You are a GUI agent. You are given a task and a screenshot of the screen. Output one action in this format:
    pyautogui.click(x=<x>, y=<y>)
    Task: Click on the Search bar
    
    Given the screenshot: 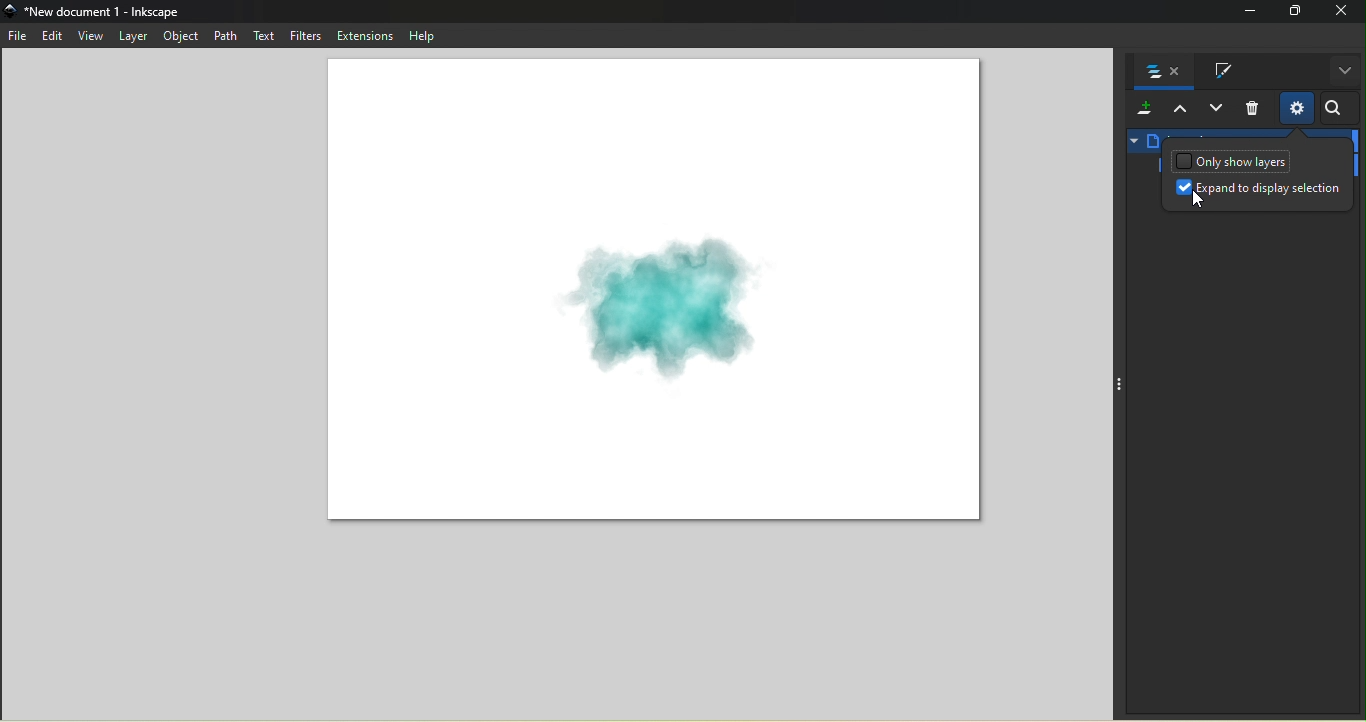 What is the action you would take?
    pyautogui.click(x=1337, y=109)
    